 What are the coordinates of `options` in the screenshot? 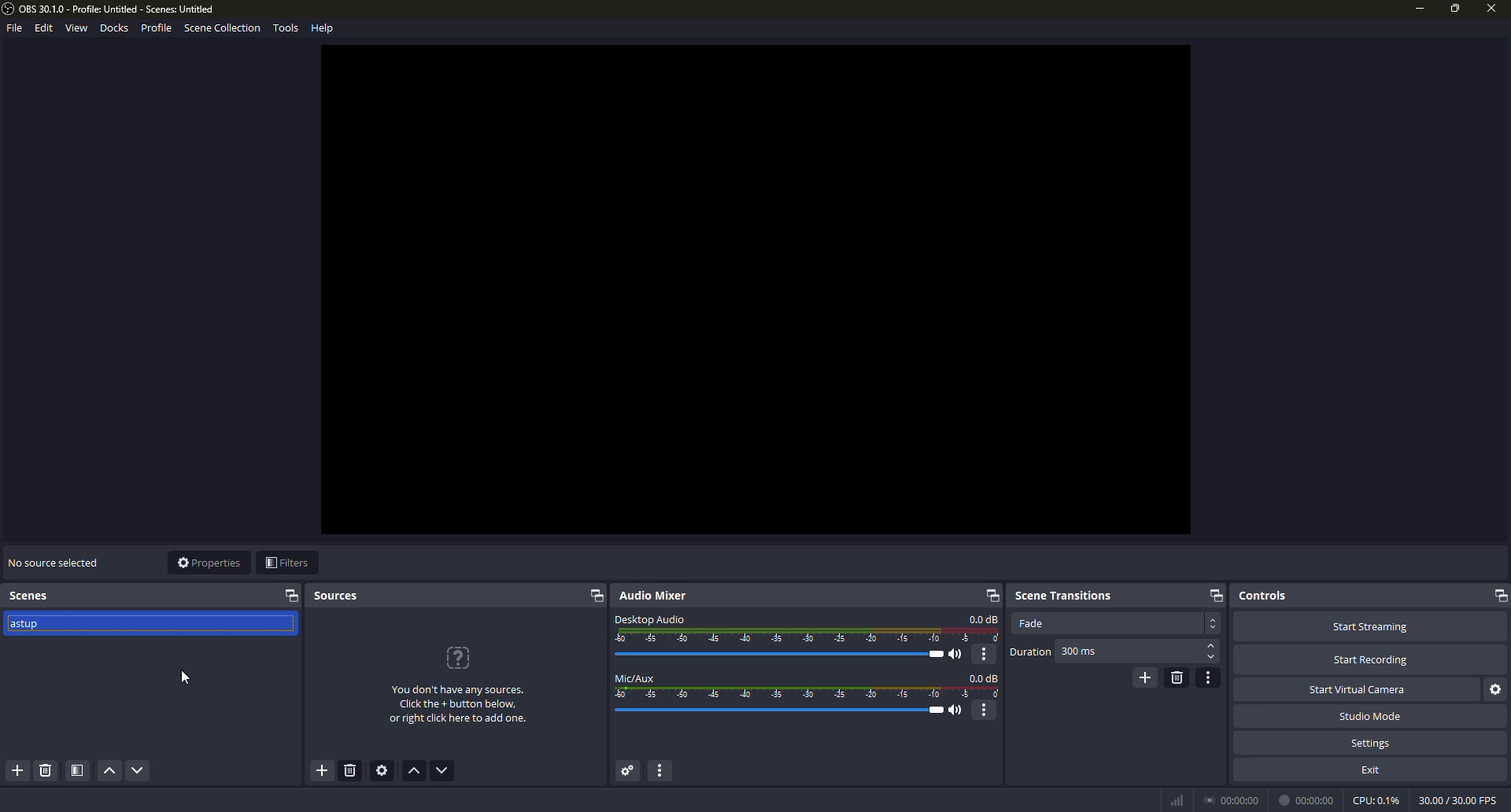 It's located at (986, 710).